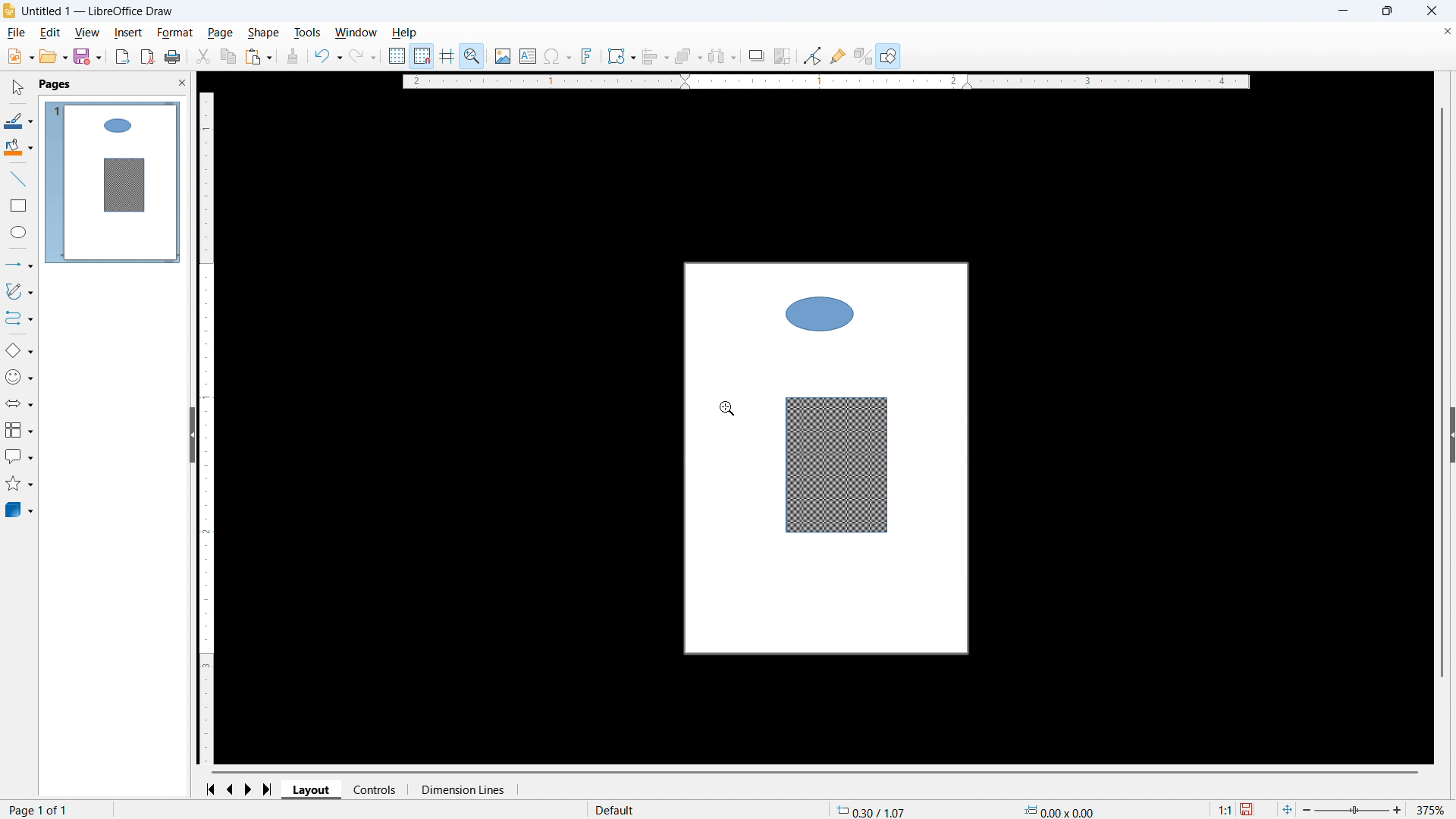 This screenshot has width=1456, height=819. I want to click on Cursor coordinates , so click(872, 810).